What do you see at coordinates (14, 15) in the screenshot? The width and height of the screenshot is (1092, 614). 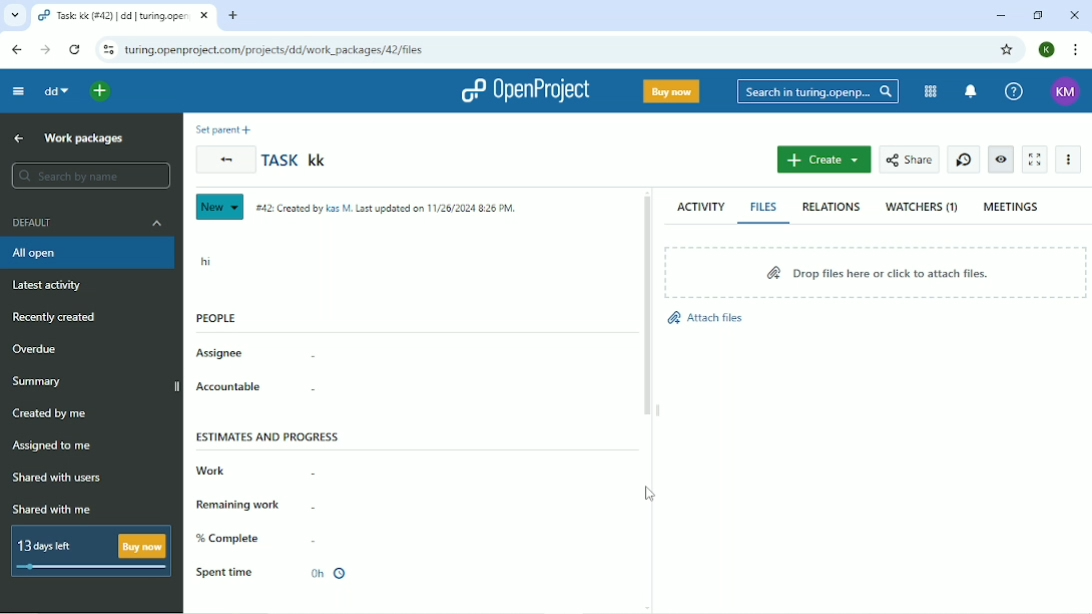 I see `Search tabs` at bounding box center [14, 15].